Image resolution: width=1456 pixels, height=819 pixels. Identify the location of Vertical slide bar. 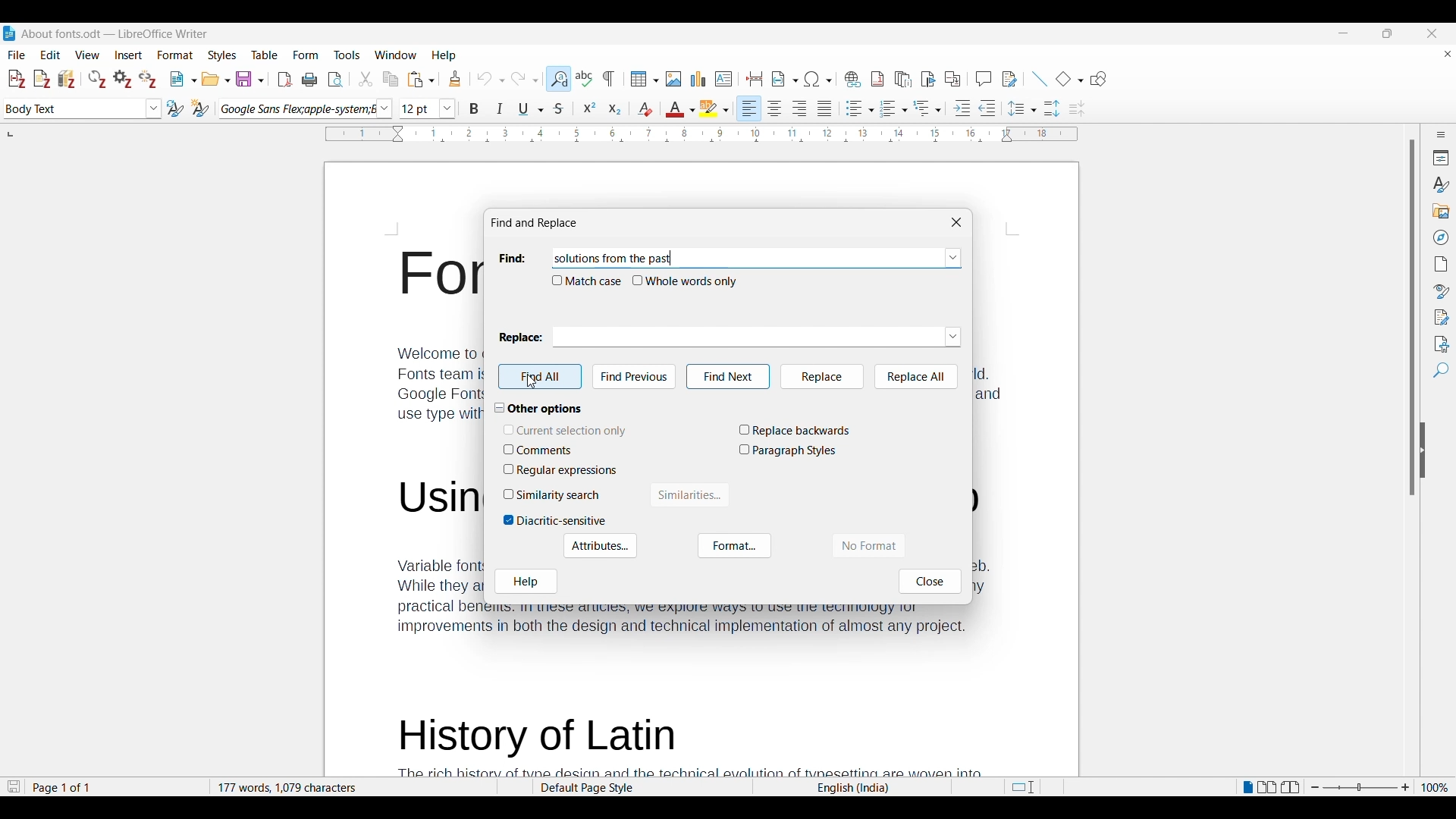
(1412, 318).